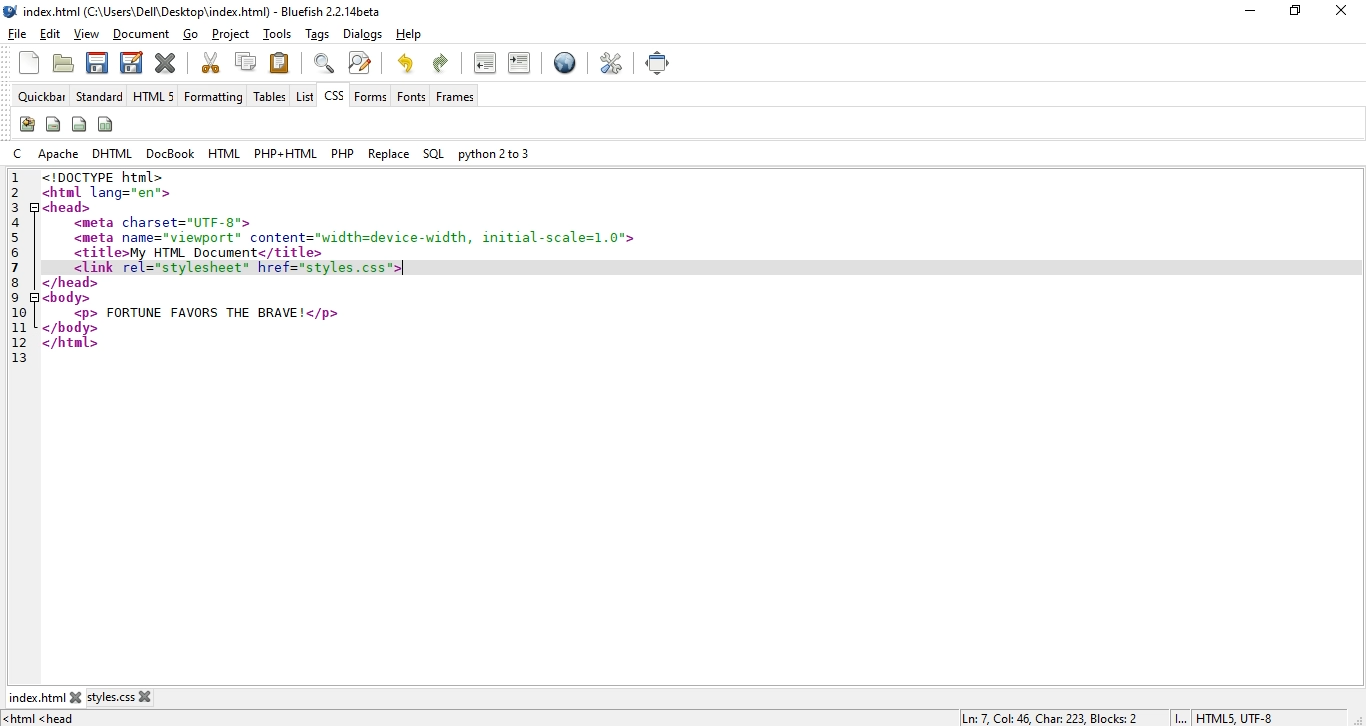 The image size is (1366, 726). Describe the element at coordinates (341, 153) in the screenshot. I see `php` at that location.